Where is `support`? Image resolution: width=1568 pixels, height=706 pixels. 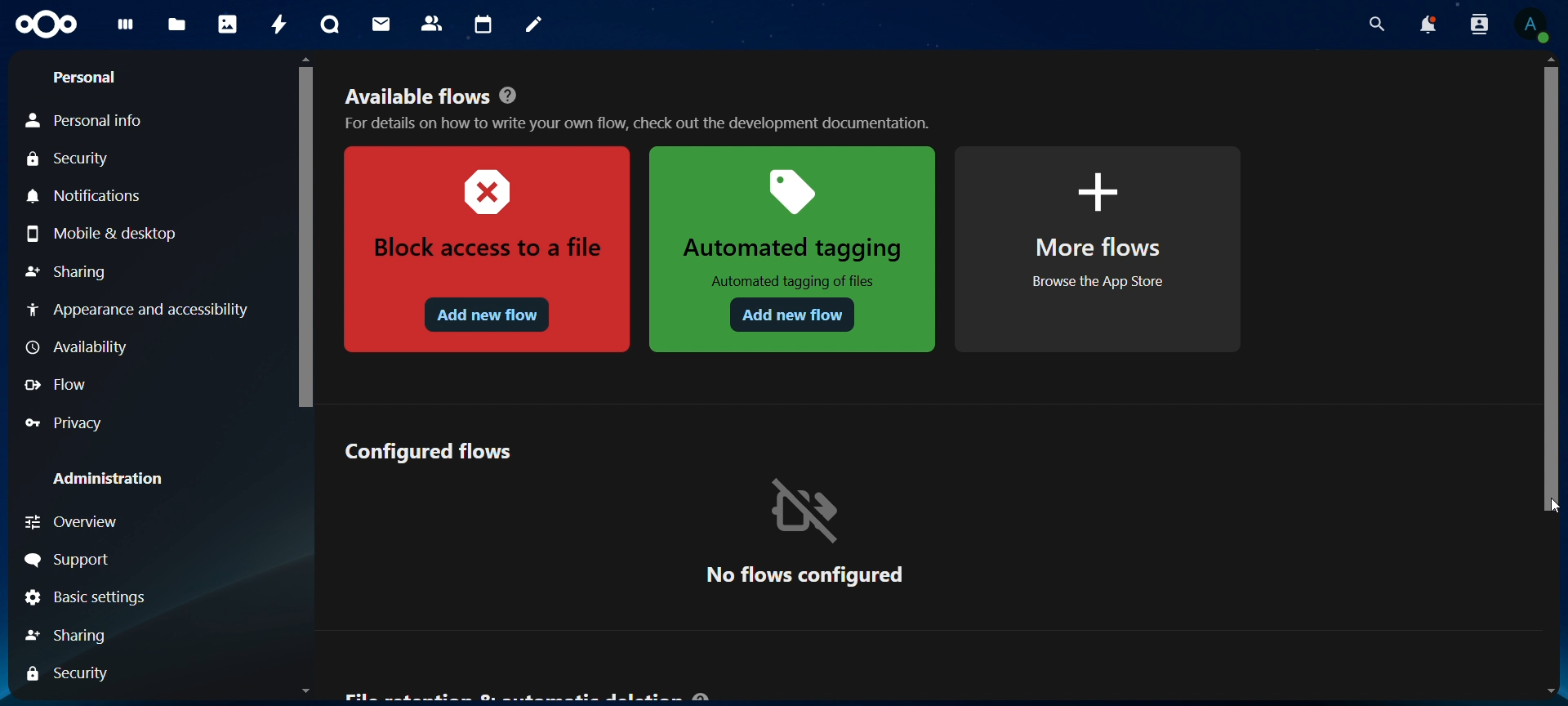 support is located at coordinates (72, 561).